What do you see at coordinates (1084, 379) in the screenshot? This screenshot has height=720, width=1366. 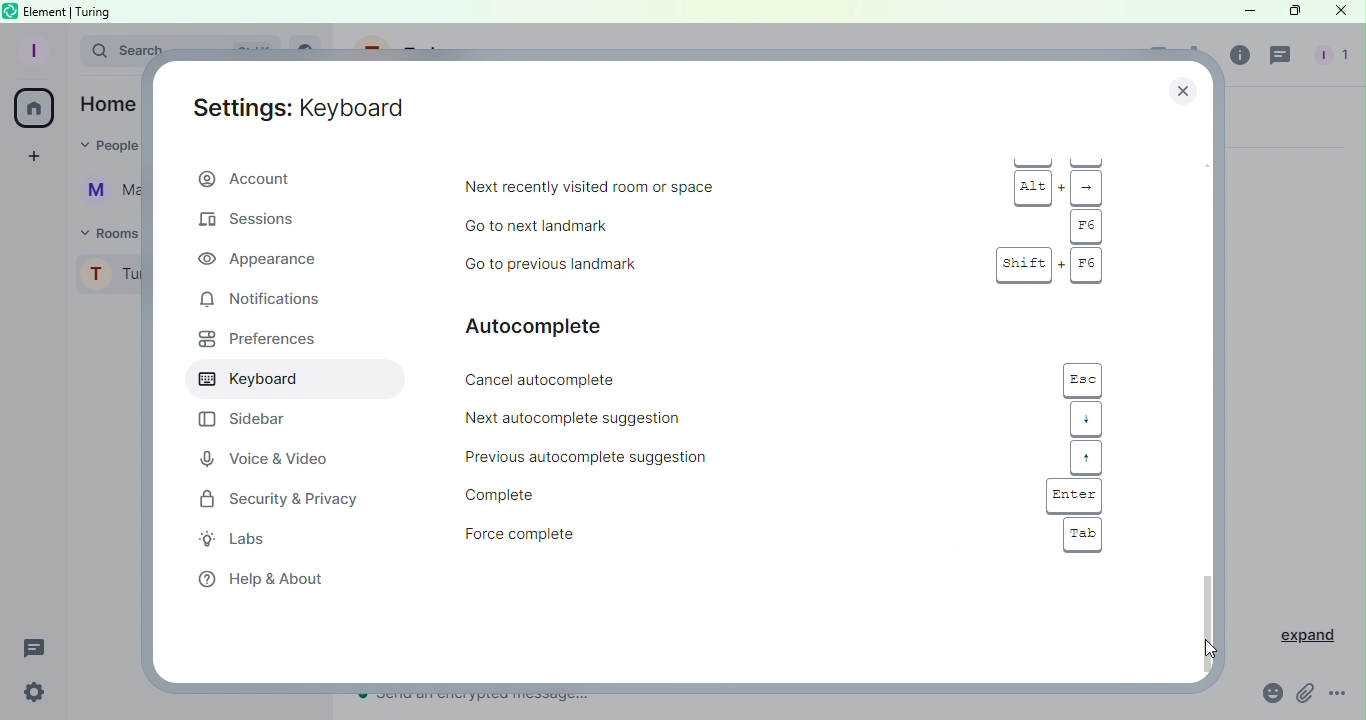 I see `esc` at bounding box center [1084, 379].